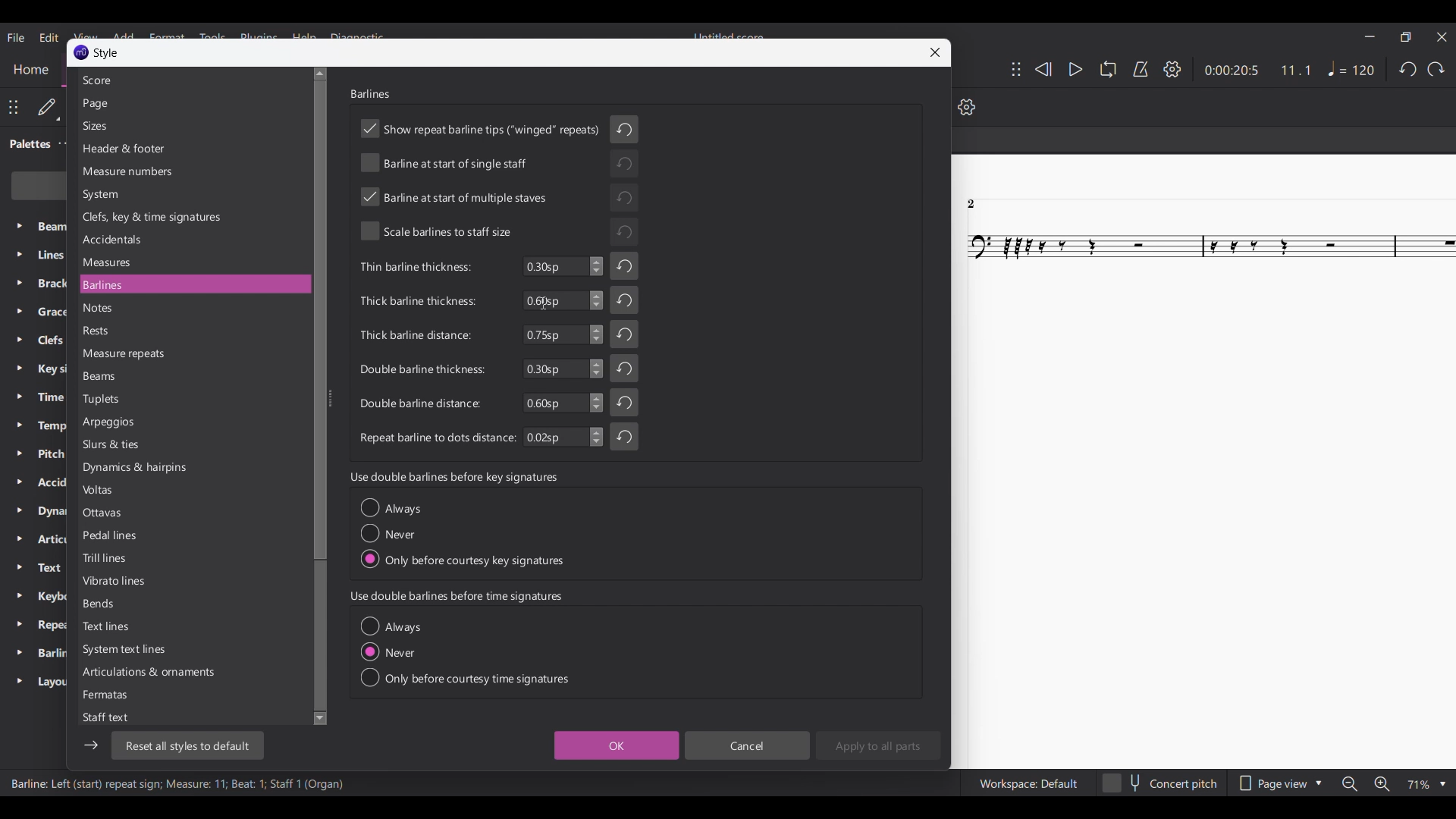 This screenshot has height=819, width=1456. I want to click on Palette tab, current selection, so click(27, 144).